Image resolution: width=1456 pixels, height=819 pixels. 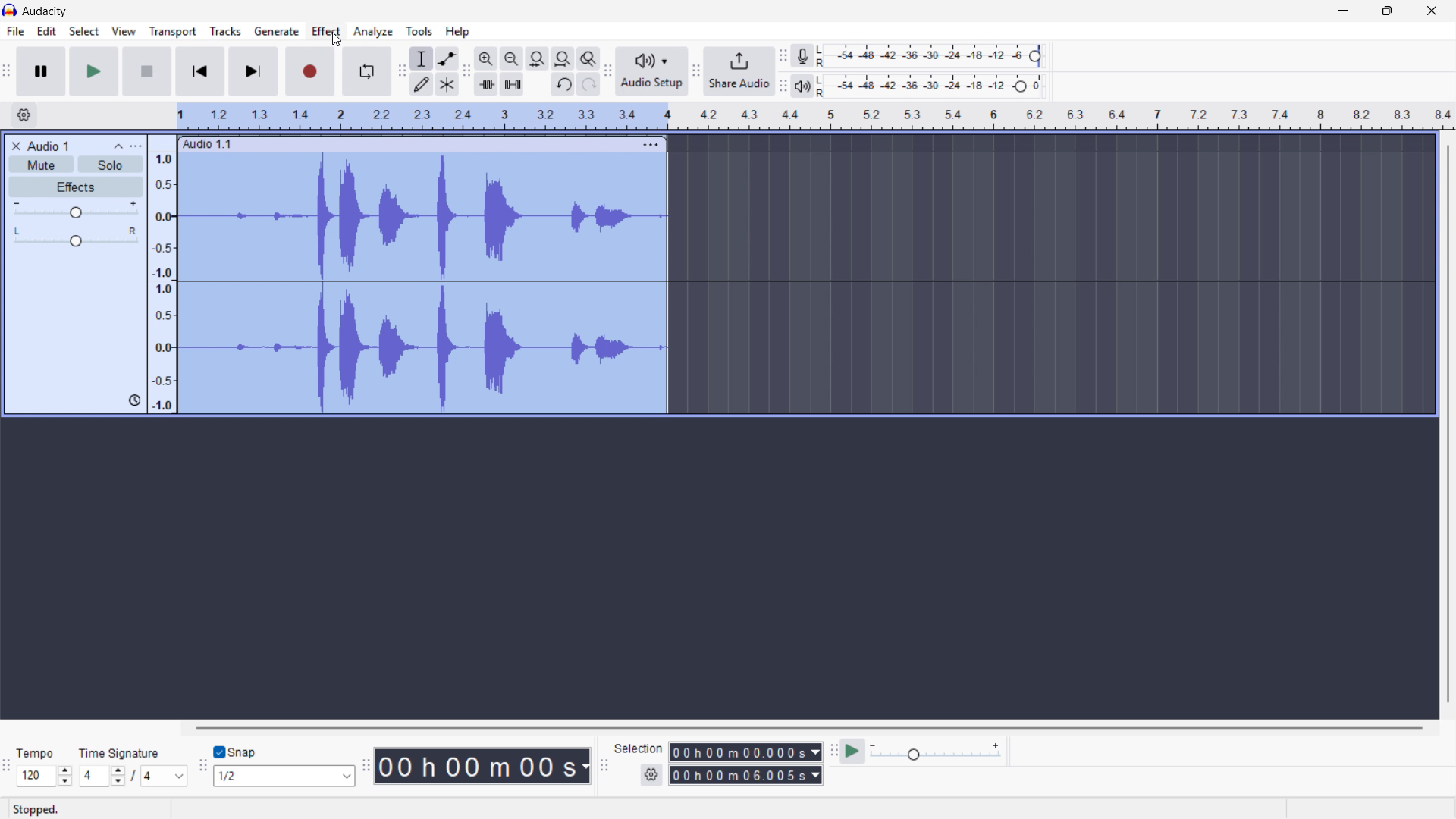 I want to click on Play at speed toolbar, so click(x=831, y=752).